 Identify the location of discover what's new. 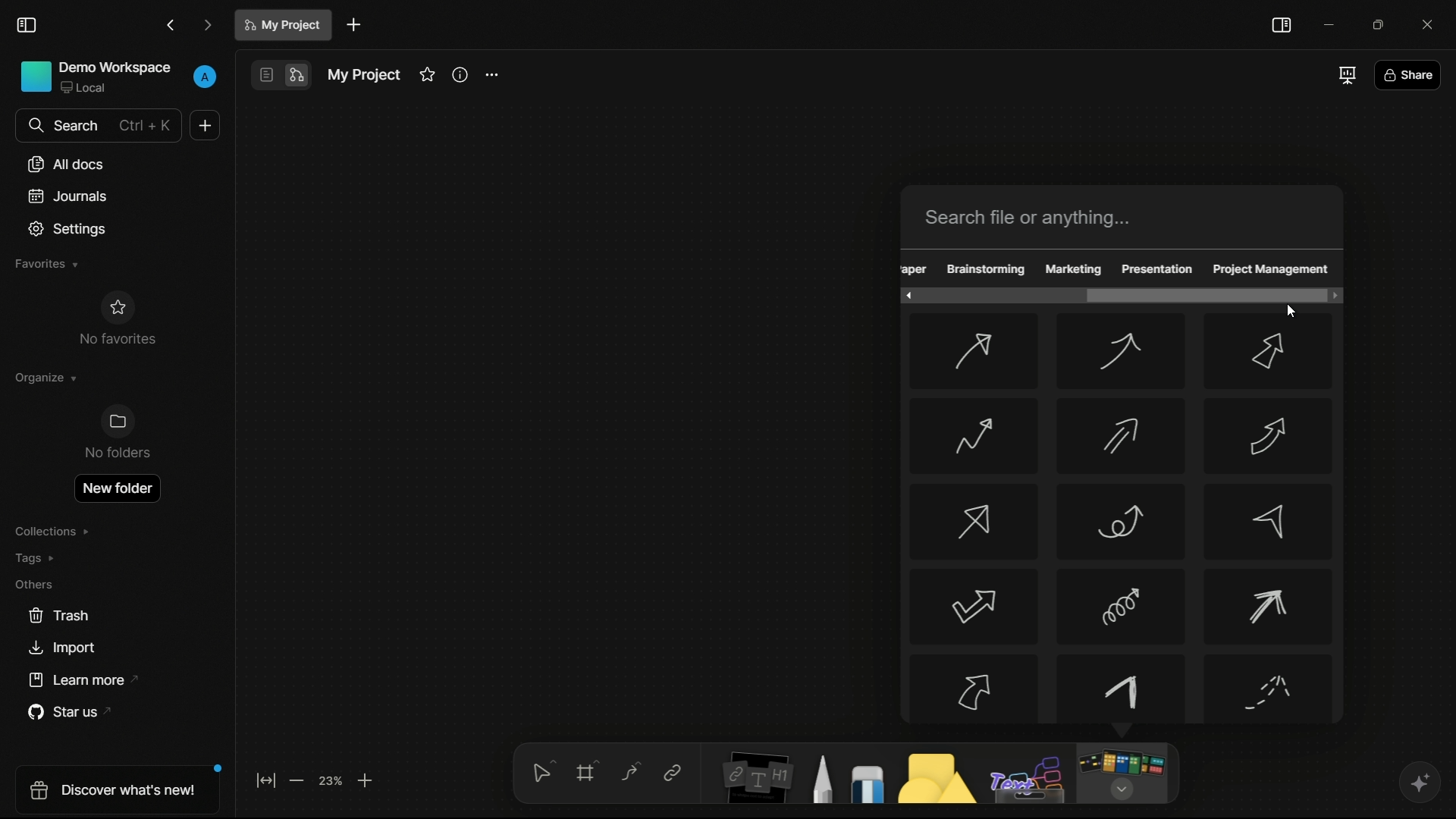
(121, 789).